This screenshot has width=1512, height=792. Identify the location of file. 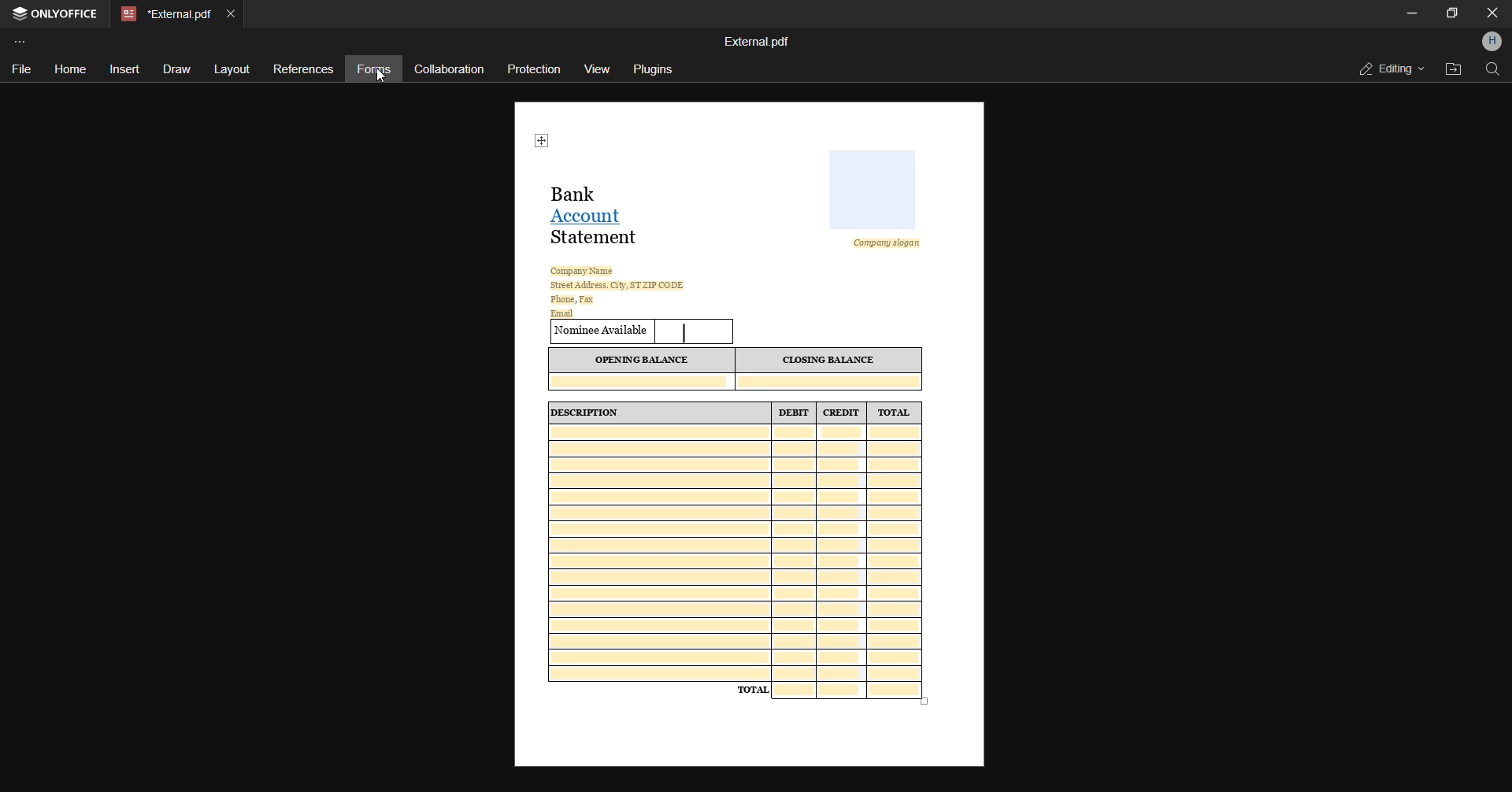
(19, 71).